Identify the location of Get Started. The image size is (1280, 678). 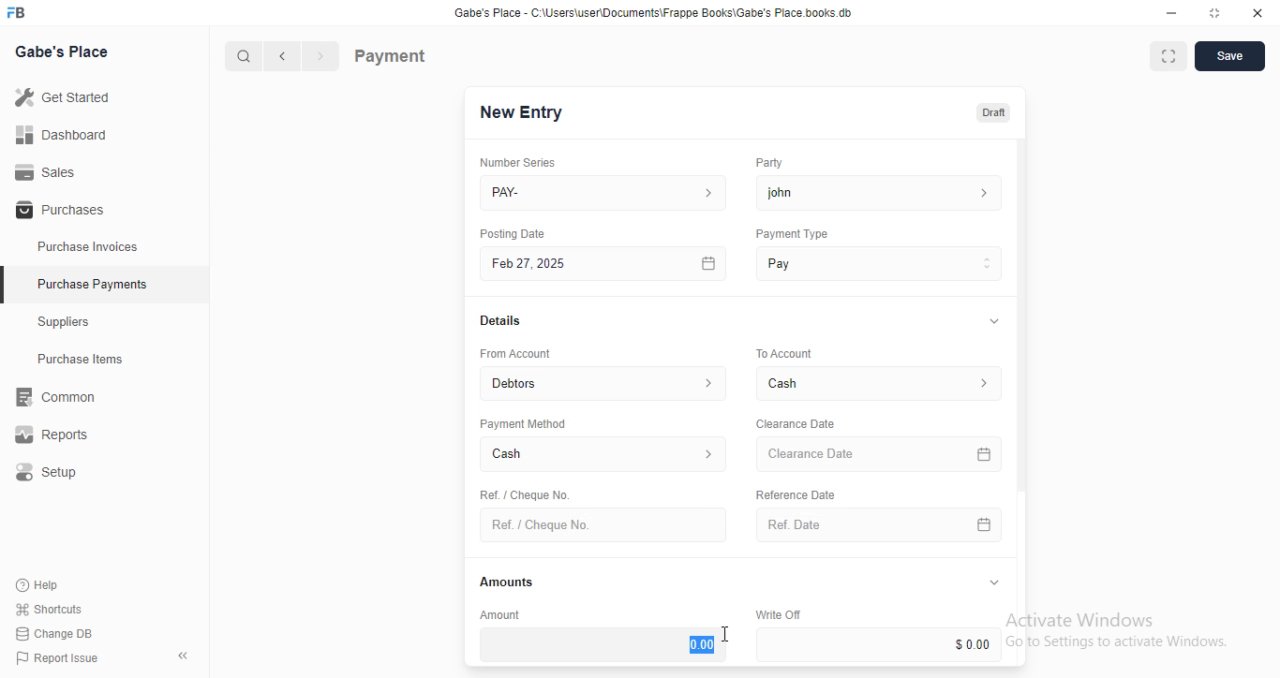
(62, 96).